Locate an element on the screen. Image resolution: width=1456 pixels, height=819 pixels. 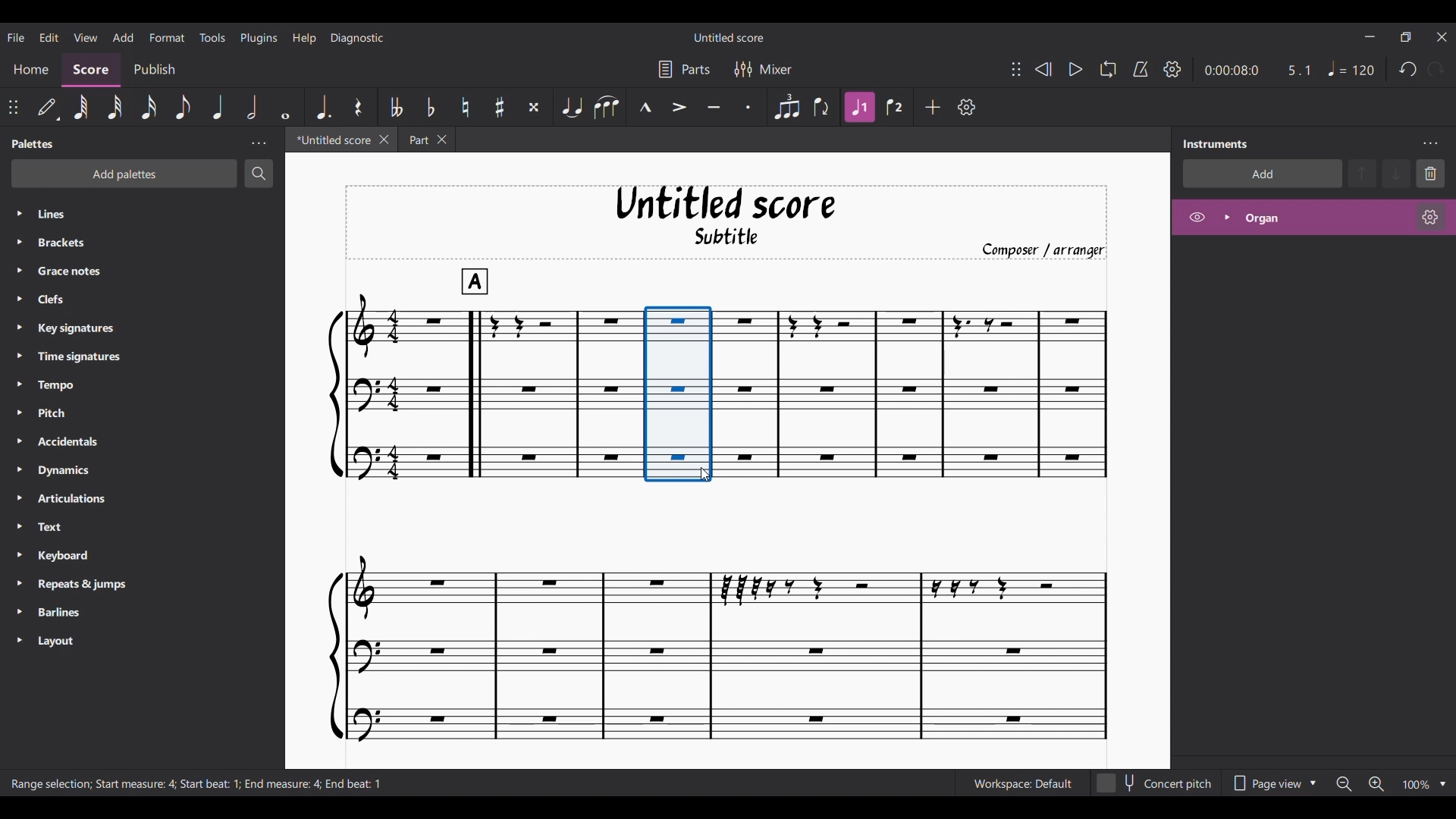
Tools menu is located at coordinates (212, 37).